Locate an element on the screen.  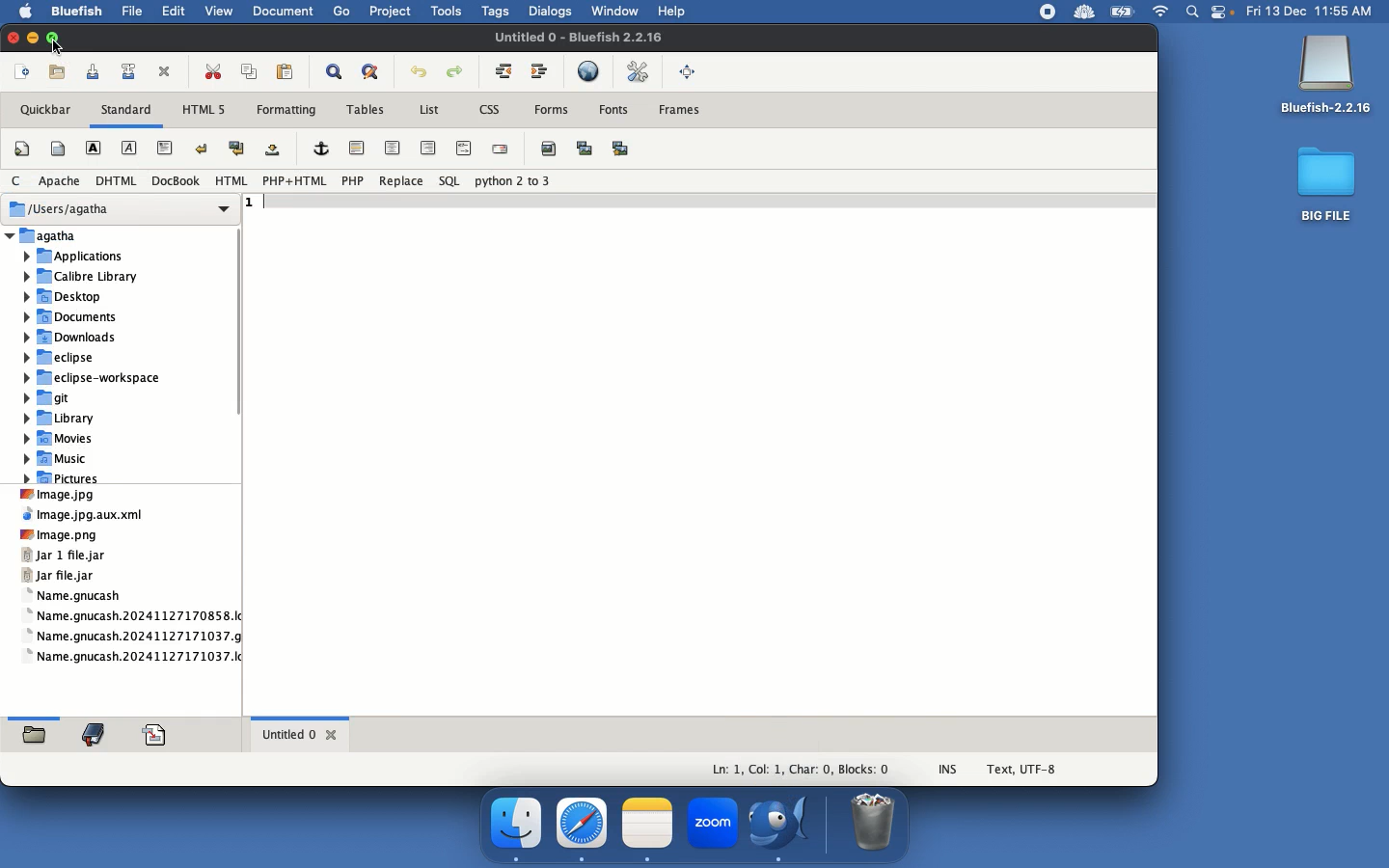
Undo is located at coordinates (419, 74).